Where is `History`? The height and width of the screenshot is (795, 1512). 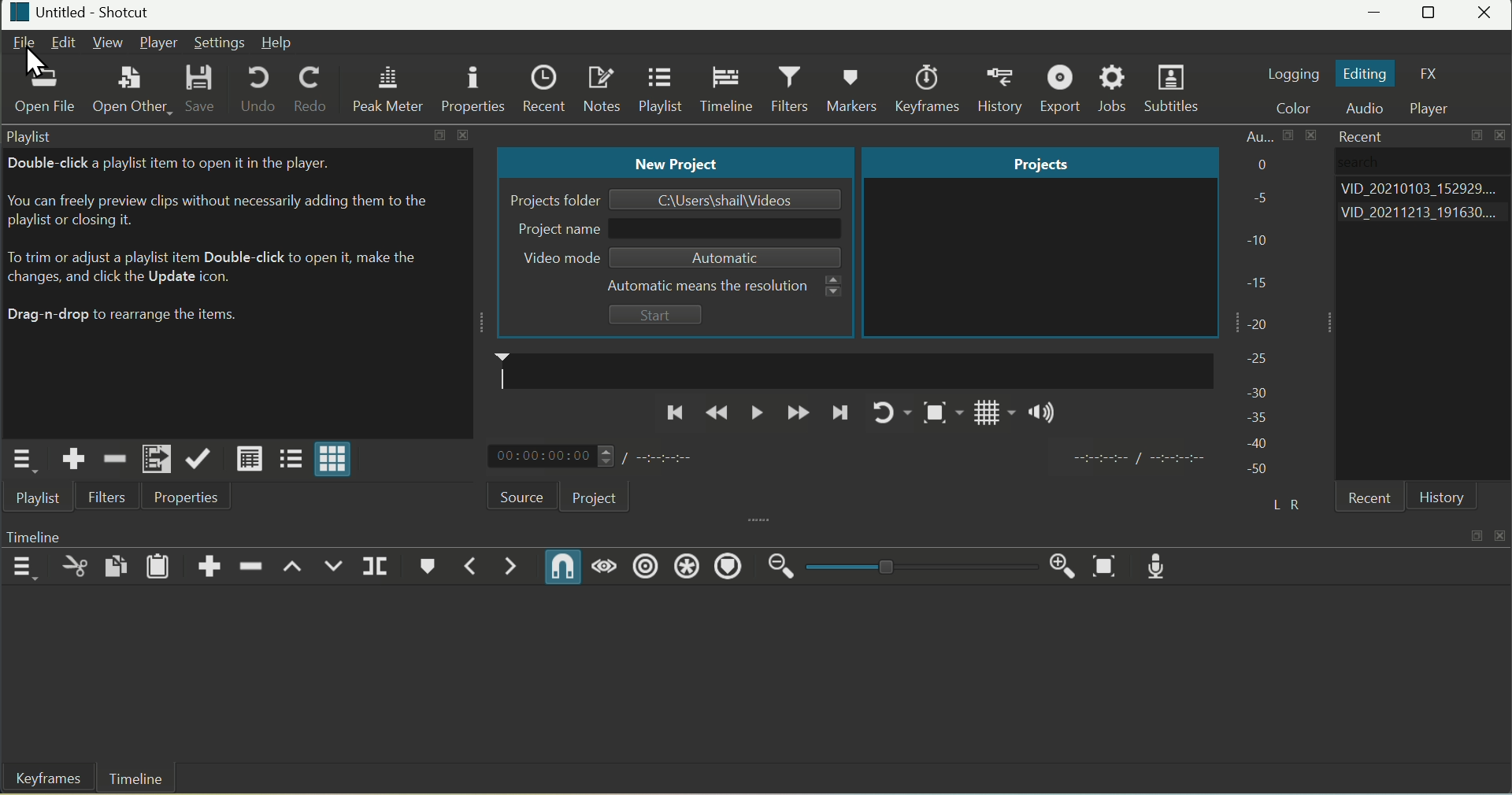
History is located at coordinates (1004, 89).